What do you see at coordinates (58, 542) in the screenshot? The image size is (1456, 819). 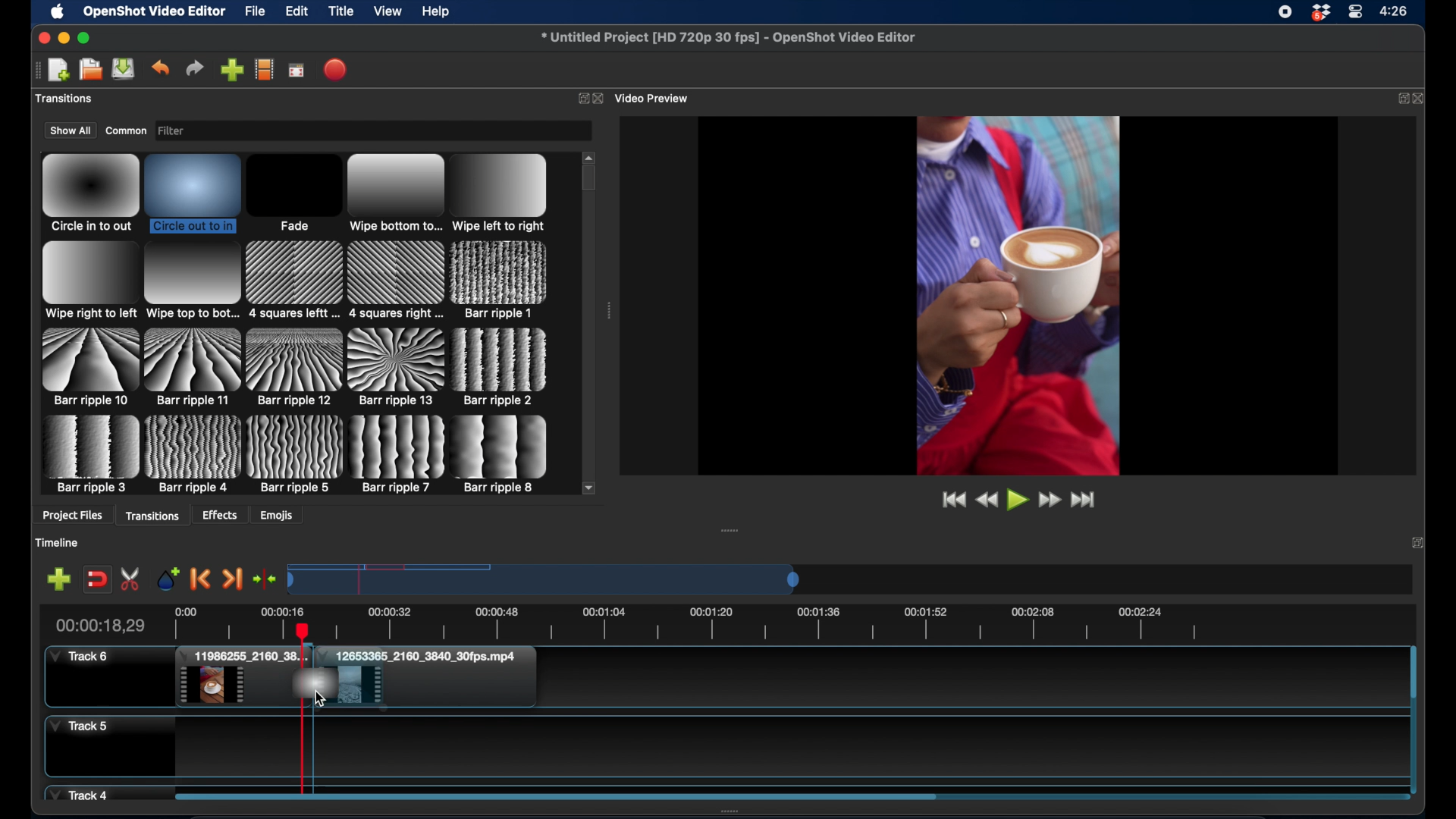 I see `timeline` at bounding box center [58, 542].